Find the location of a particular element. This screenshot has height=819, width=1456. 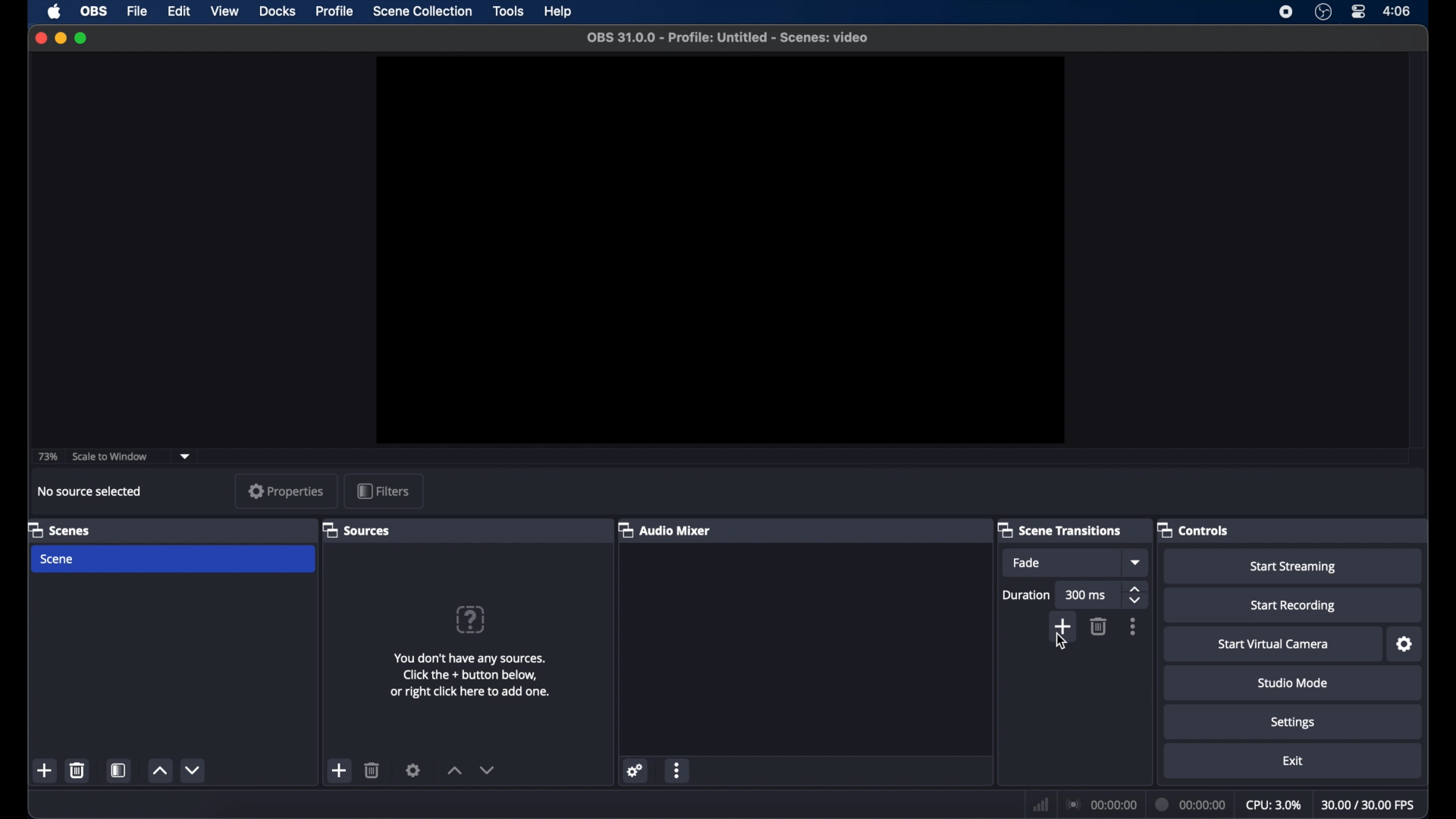

netwrok is located at coordinates (1039, 803).